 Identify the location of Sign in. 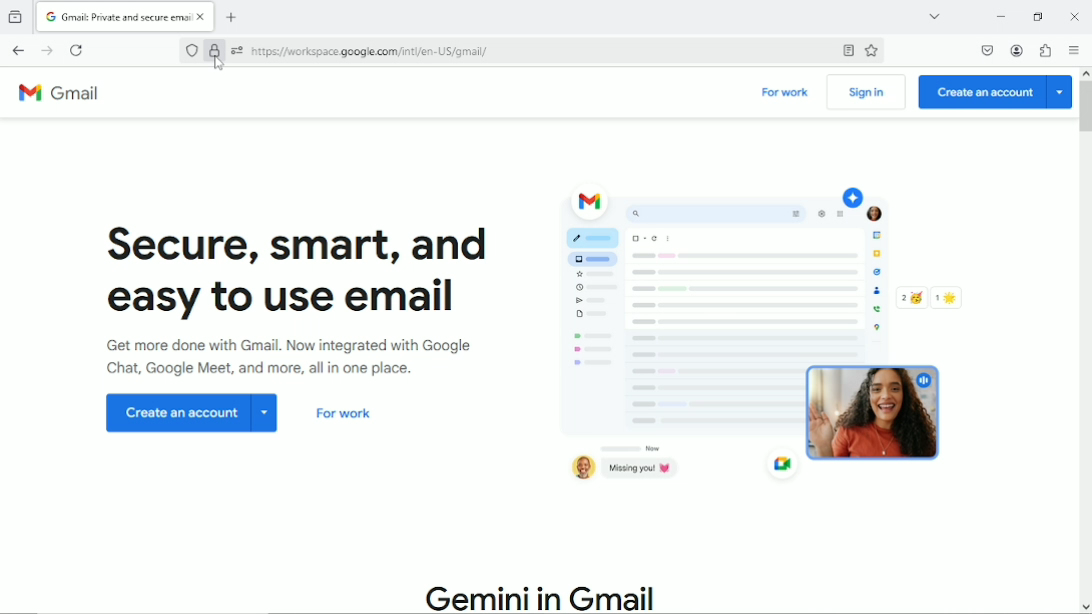
(866, 93).